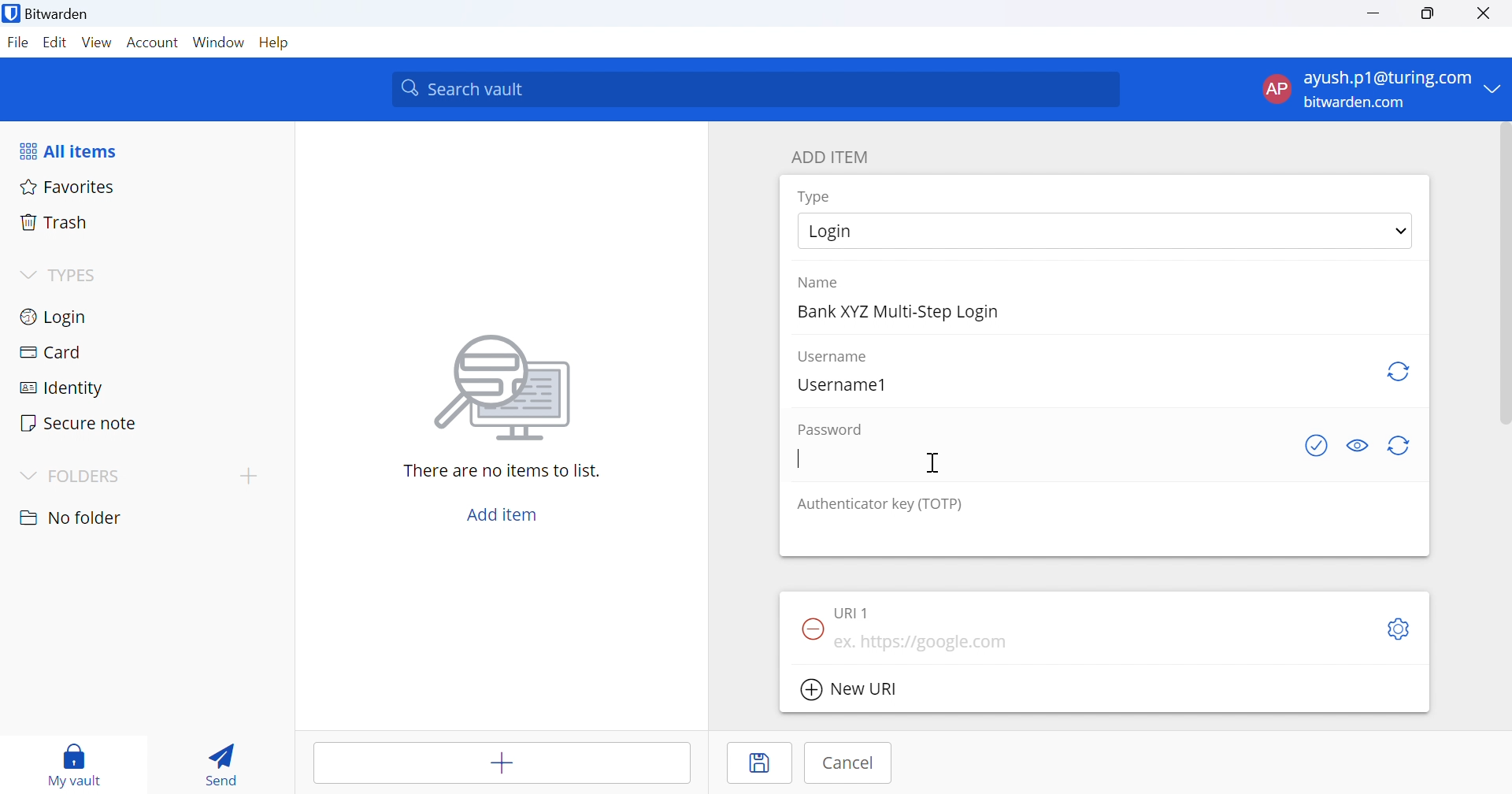 The height and width of the screenshot is (794, 1512). Describe the element at coordinates (1357, 446) in the screenshot. I see `Toggle visibility` at that location.